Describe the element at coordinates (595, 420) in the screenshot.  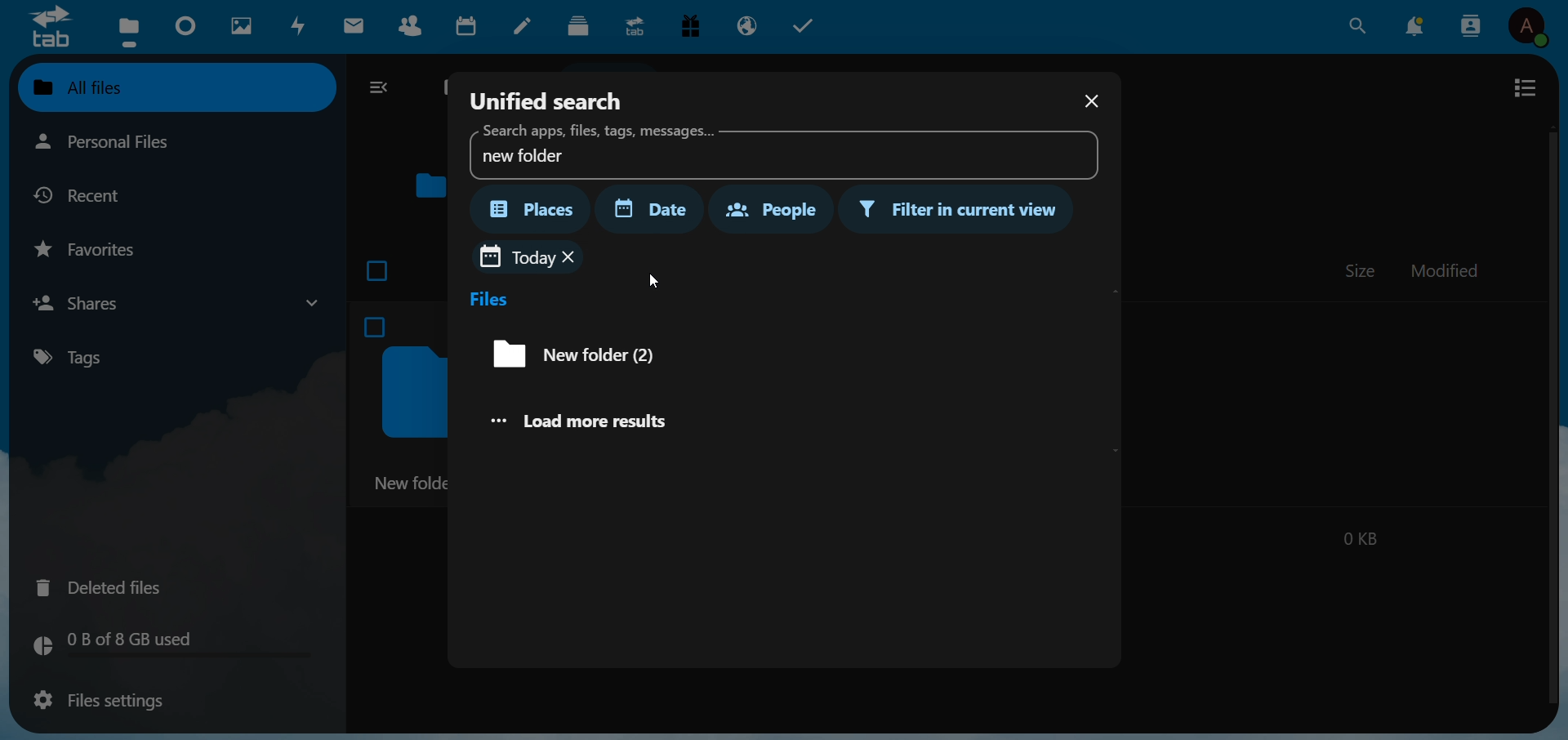
I see `load more results` at that location.